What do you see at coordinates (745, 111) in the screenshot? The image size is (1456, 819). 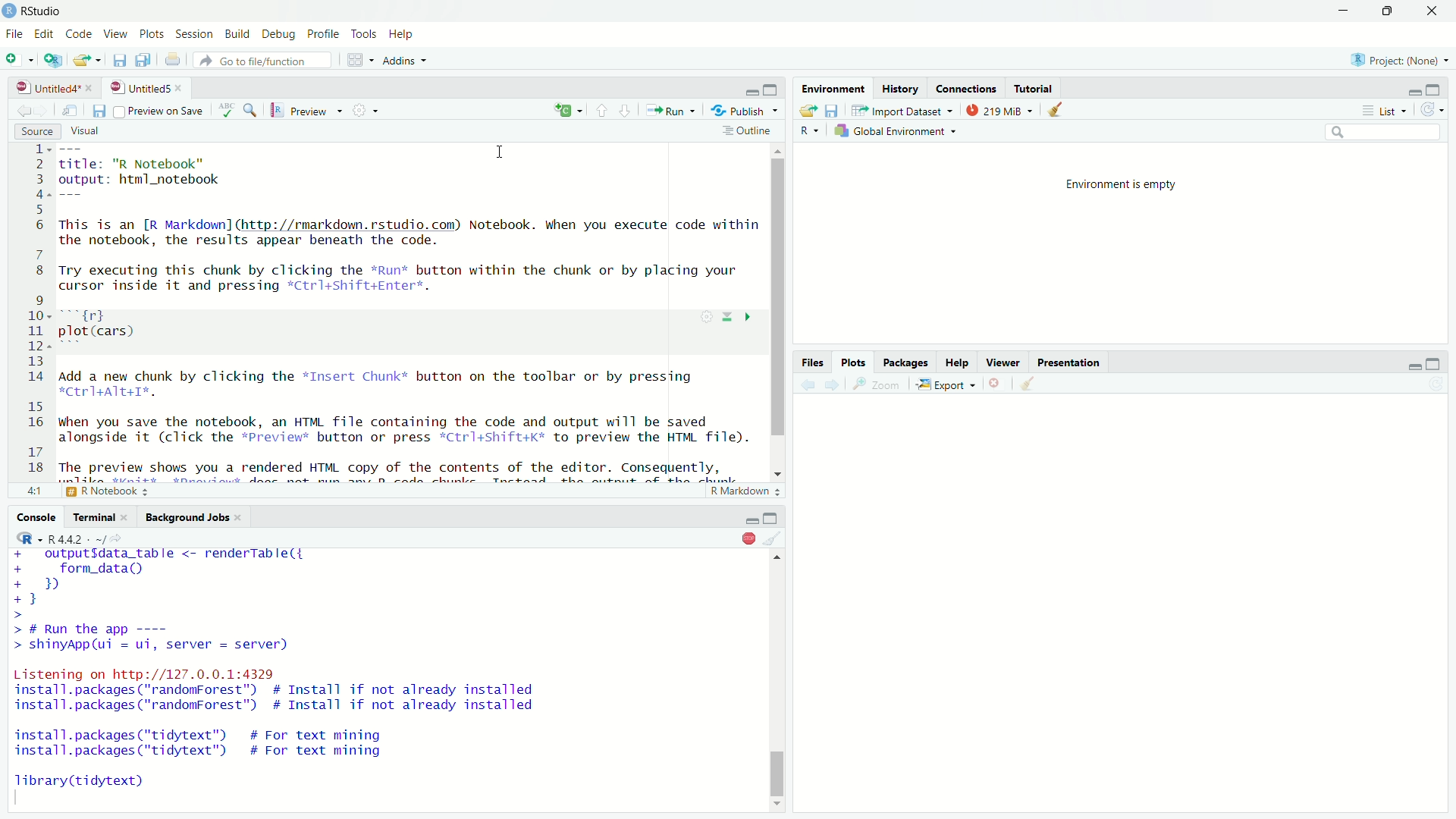 I see `publish` at bounding box center [745, 111].